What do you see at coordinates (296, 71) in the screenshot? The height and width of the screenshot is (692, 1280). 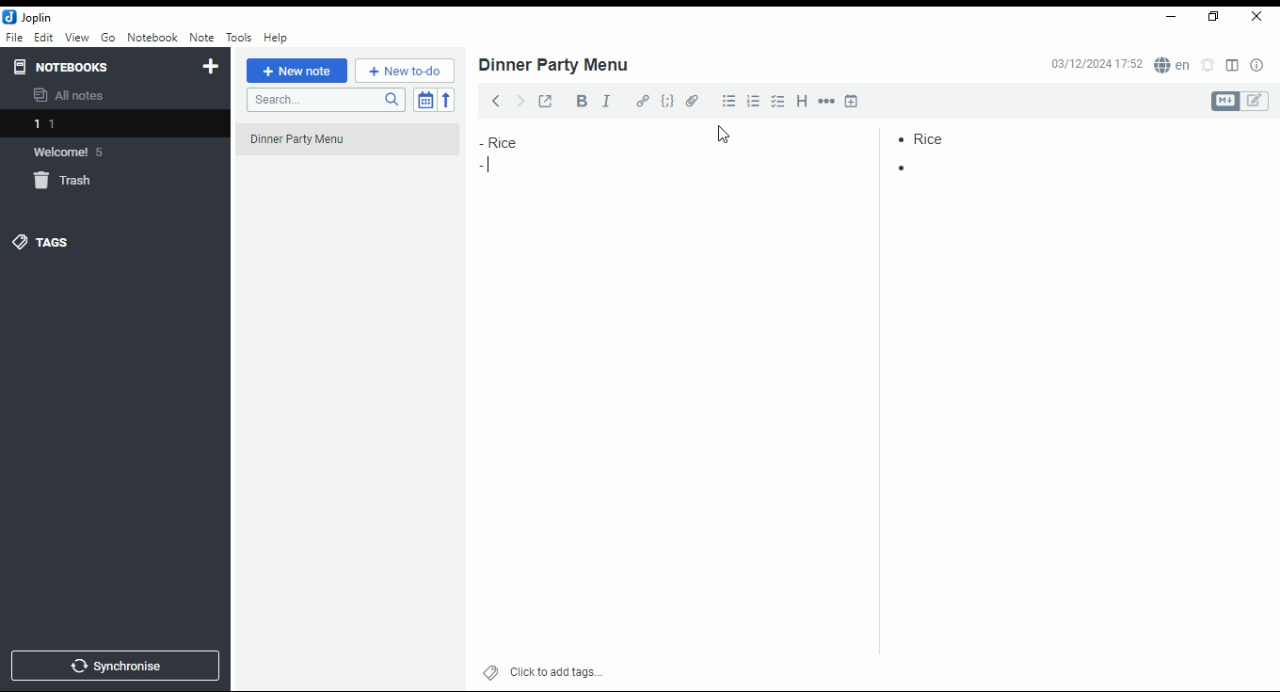 I see `new note` at bounding box center [296, 71].